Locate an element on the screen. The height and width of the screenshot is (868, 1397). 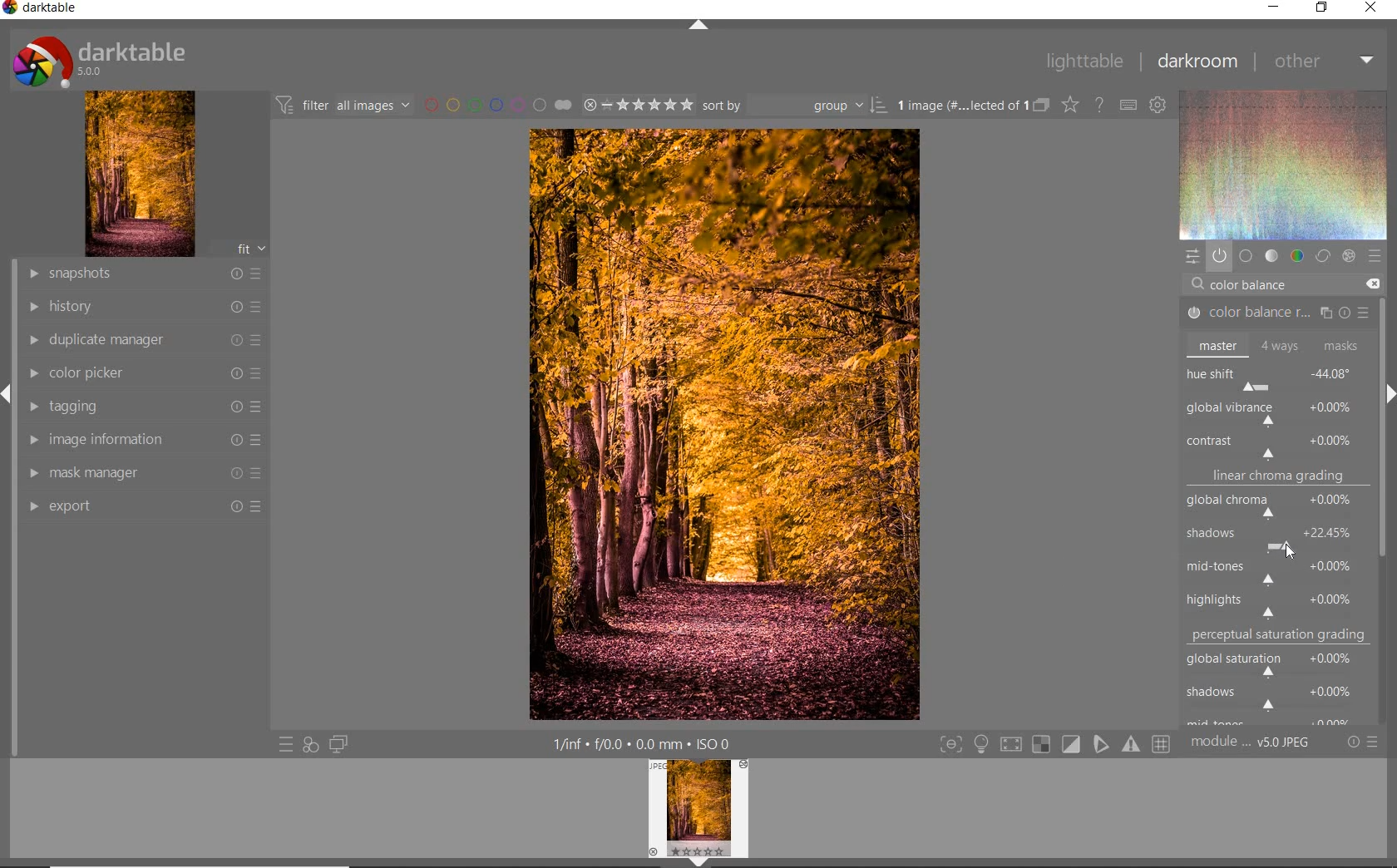
show only active module is located at coordinates (1219, 255).